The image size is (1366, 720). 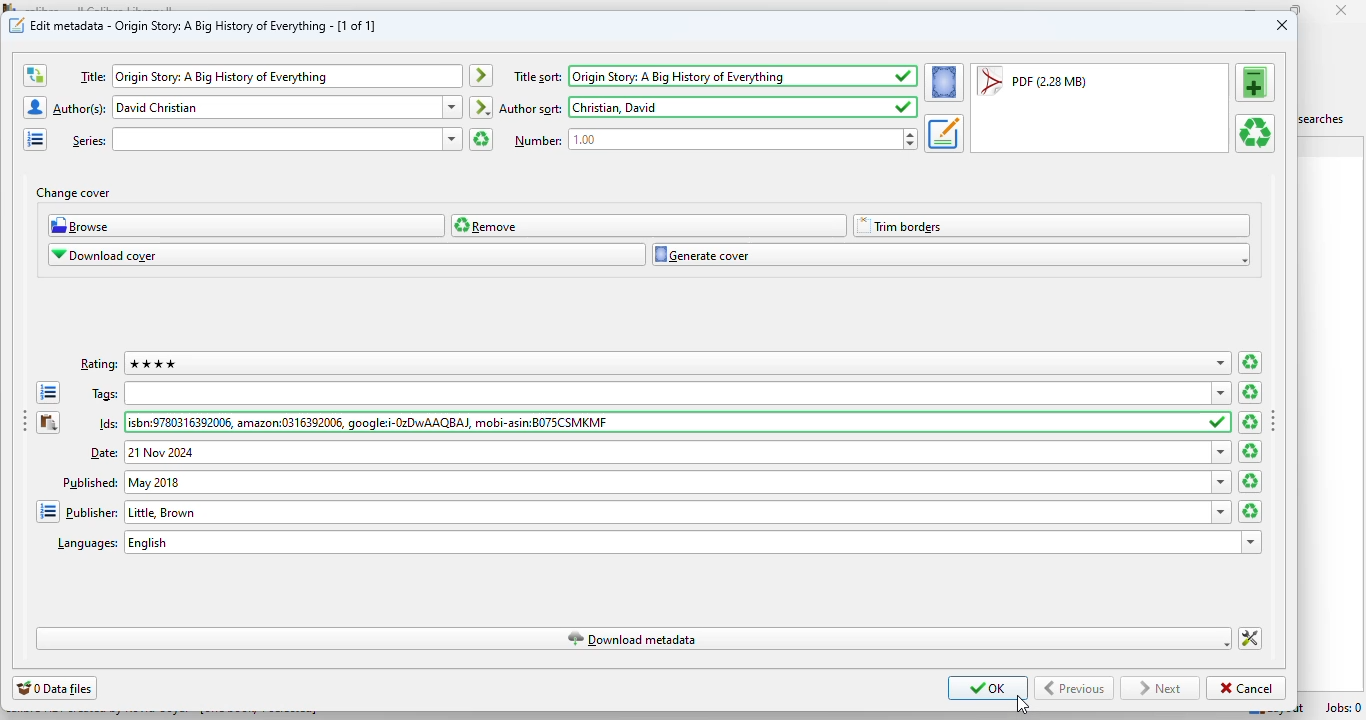 What do you see at coordinates (1221, 394) in the screenshot?
I see `dropdown` at bounding box center [1221, 394].